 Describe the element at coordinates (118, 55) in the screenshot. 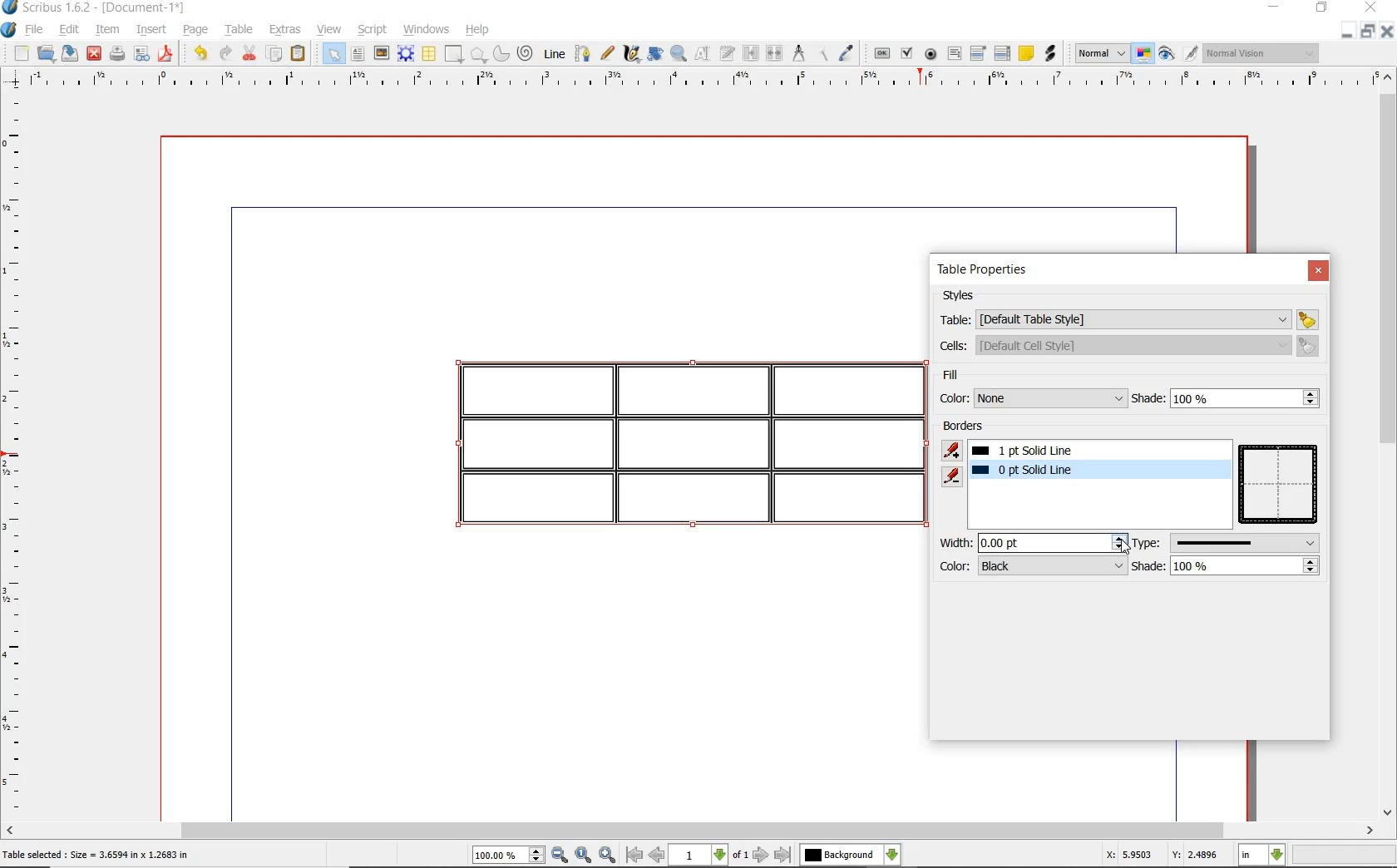

I see `print` at that location.